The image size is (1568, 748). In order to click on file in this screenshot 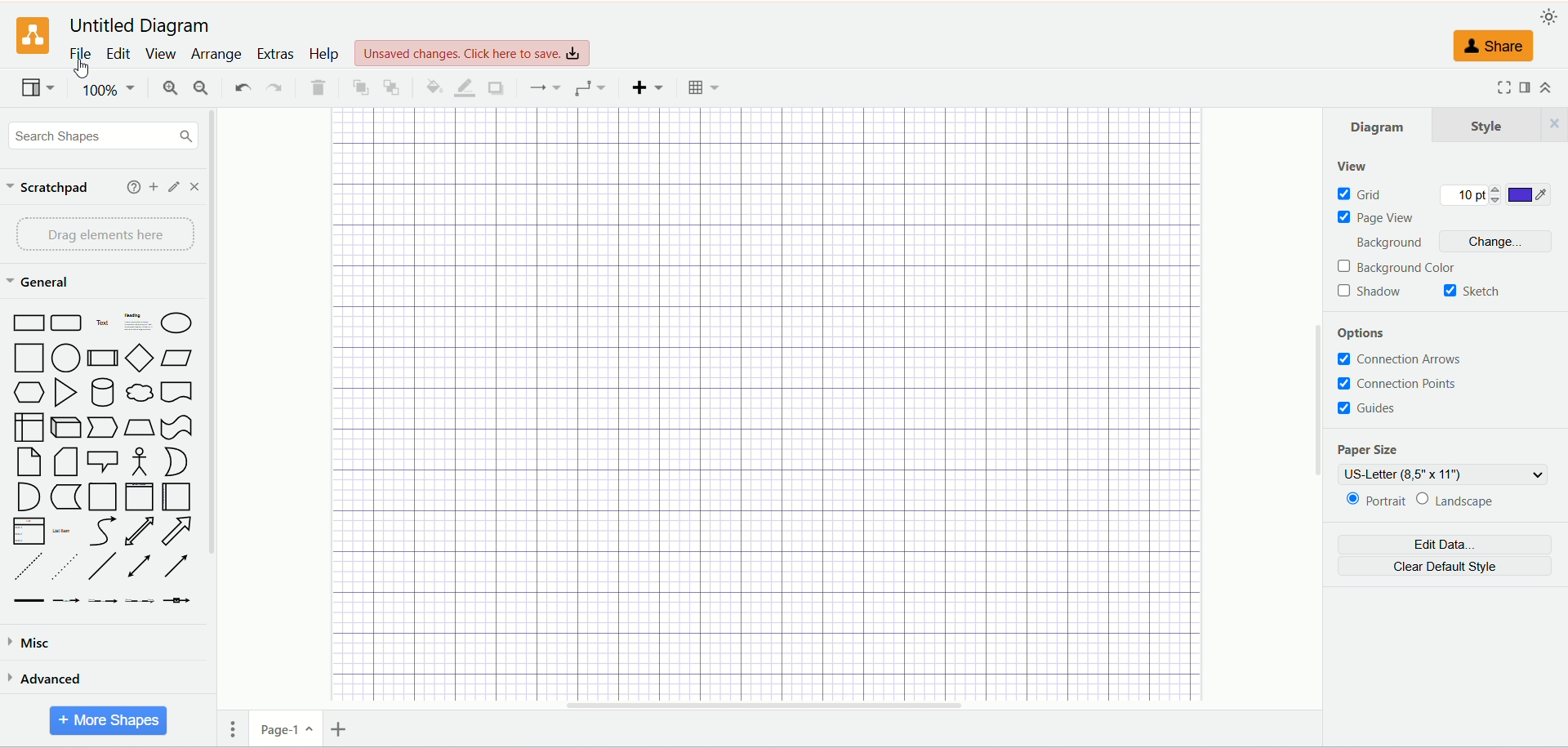, I will do `click(79, 54)`.